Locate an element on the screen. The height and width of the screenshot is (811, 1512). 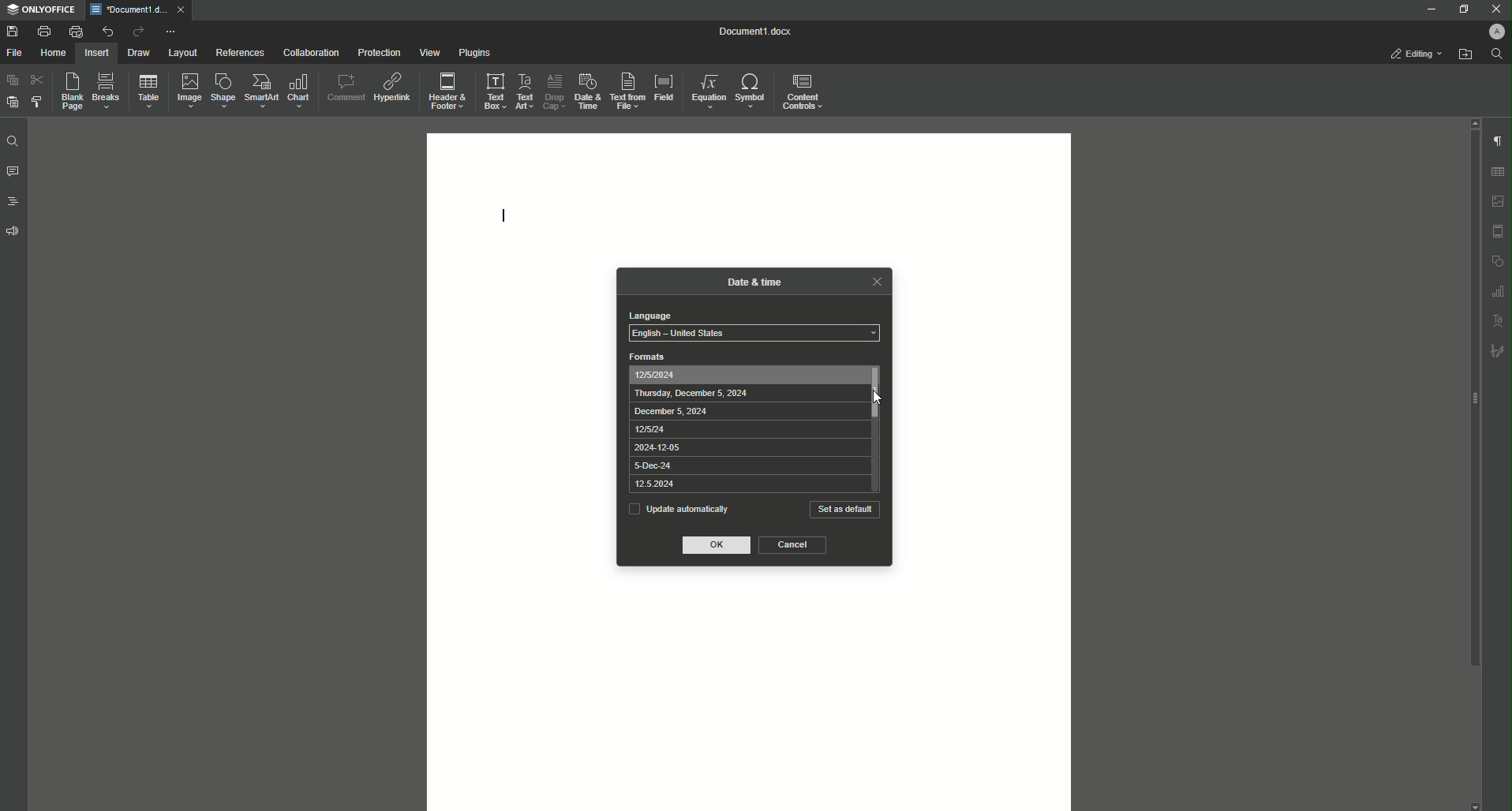
Redo is located at coordinates (136, 32).